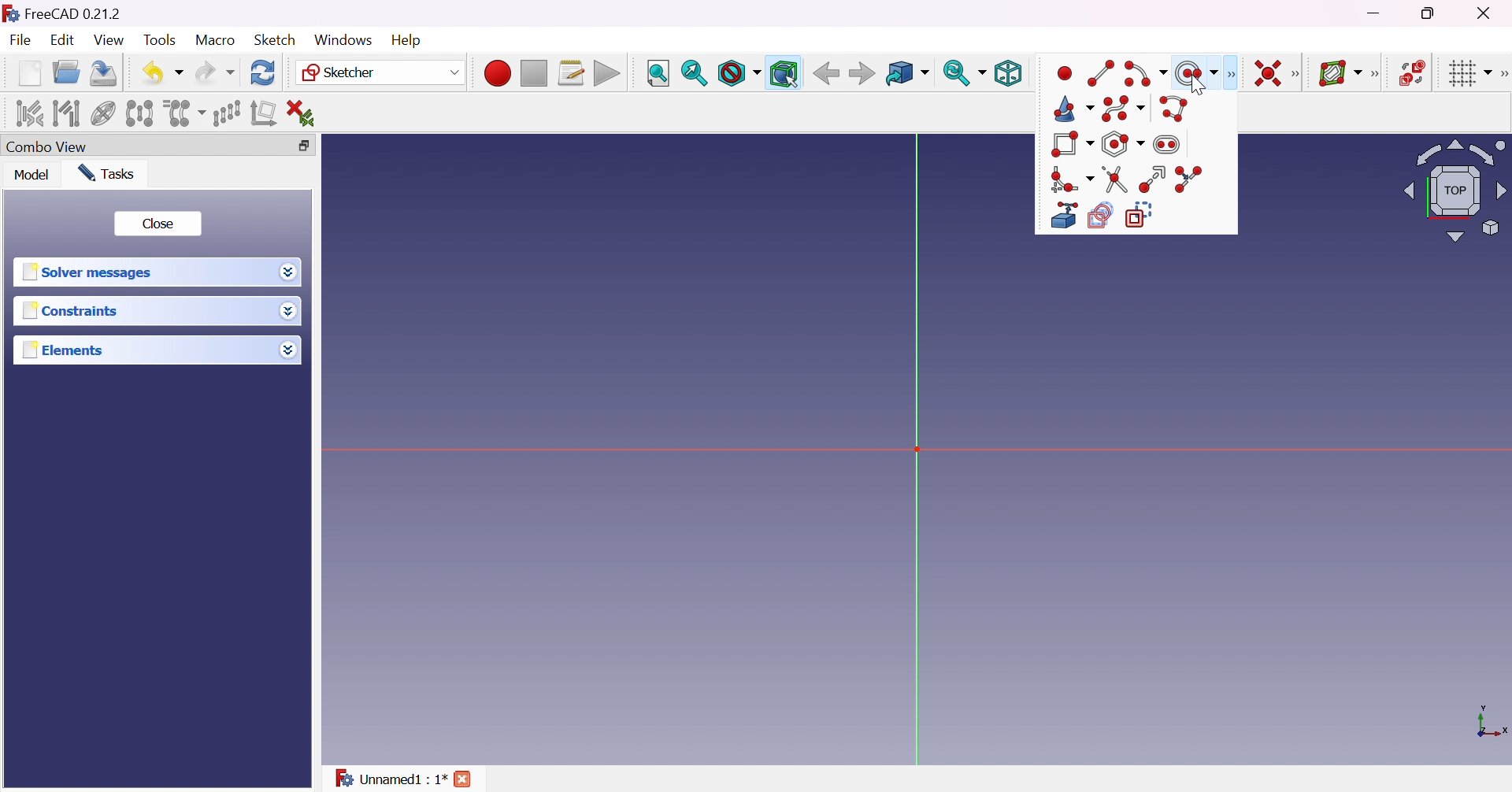 The width and height of the screenshot is (1512, 792). Describe the element at coordinates (183, 112) in the screenshot. I see `Clone` at that location.